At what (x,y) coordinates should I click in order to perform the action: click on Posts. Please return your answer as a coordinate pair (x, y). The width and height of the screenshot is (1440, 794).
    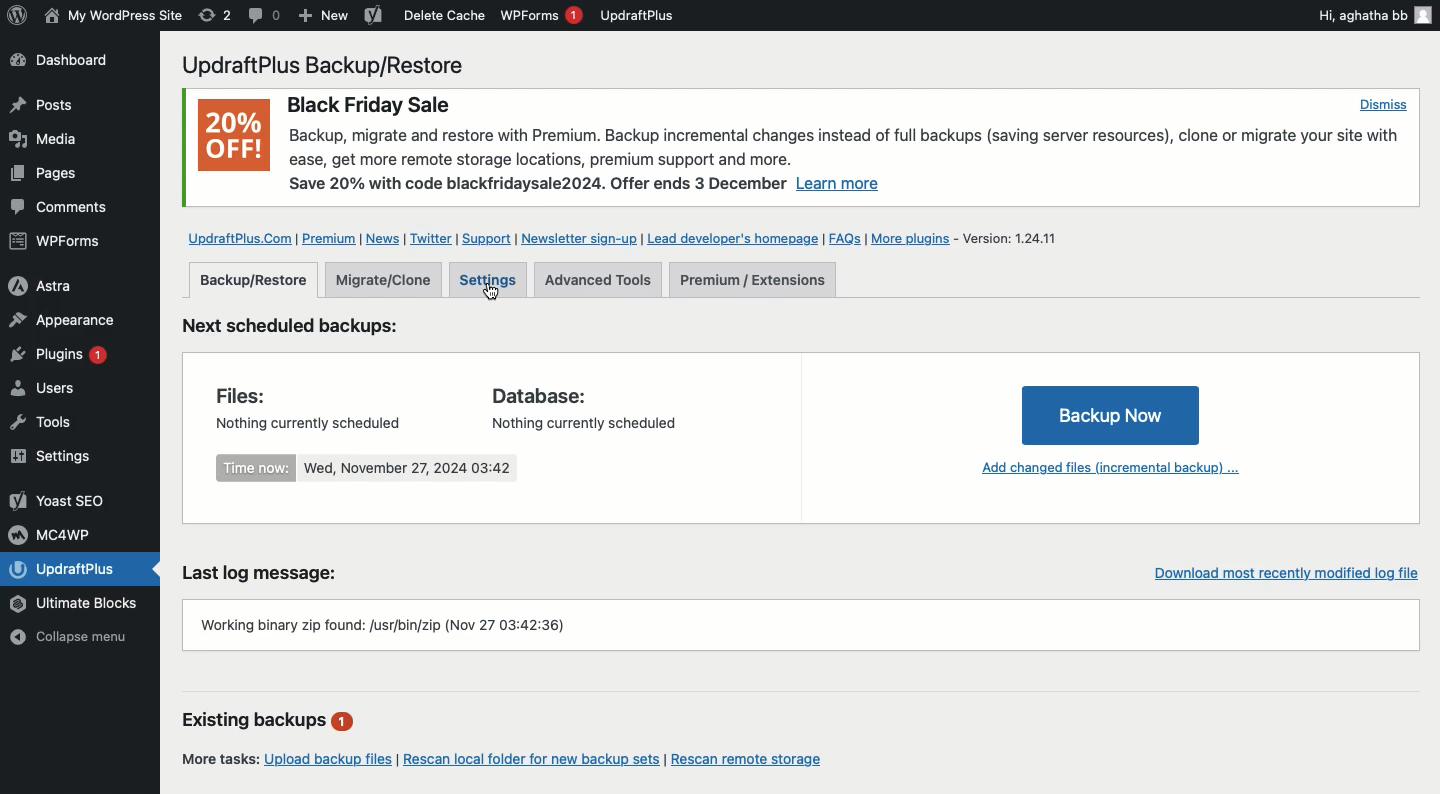
    Looking at the image, I should click on (41, 177).